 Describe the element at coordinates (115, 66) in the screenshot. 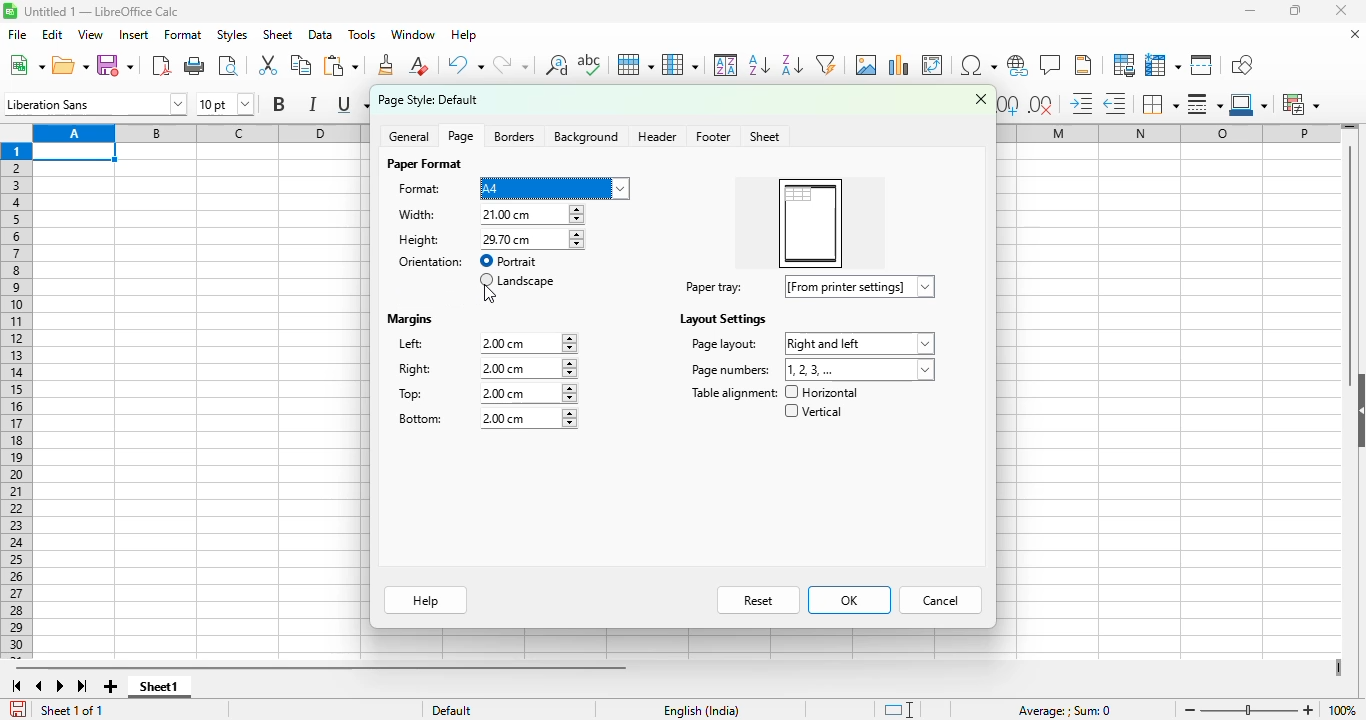

I see `save` at that location.